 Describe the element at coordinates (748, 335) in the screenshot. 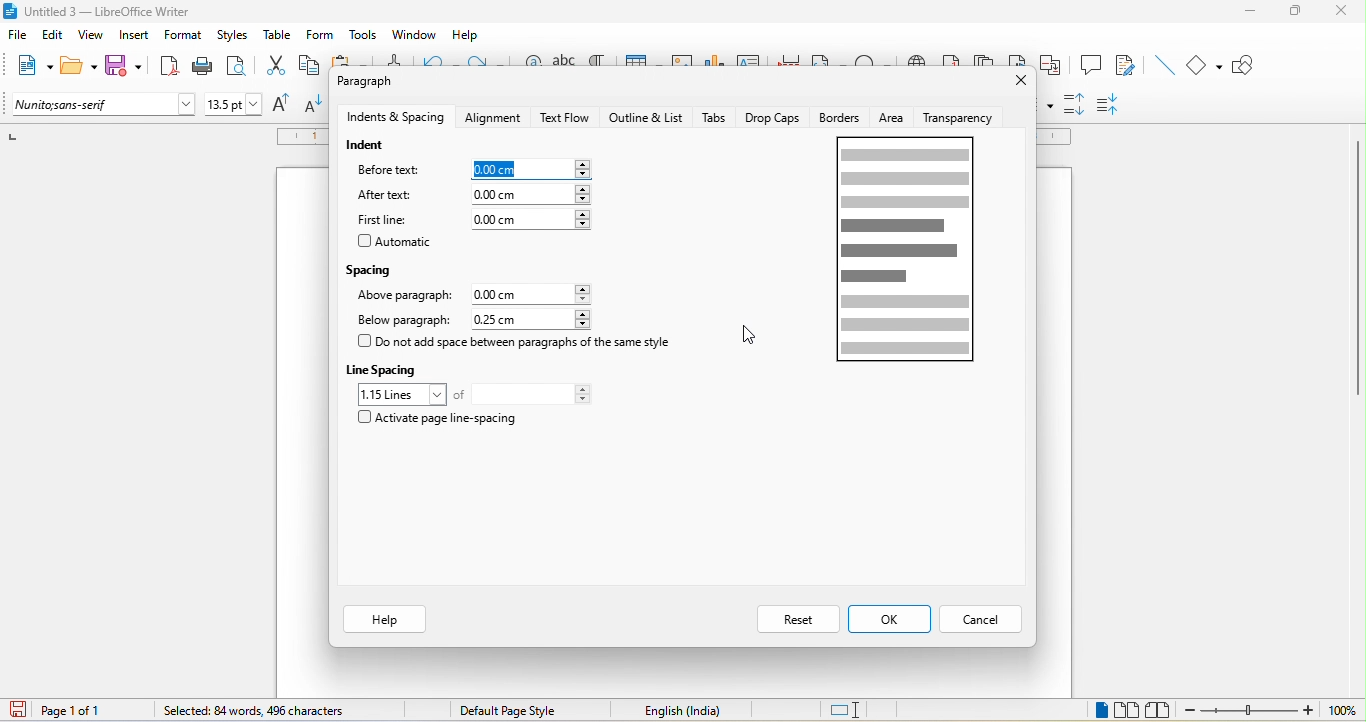

I see `cursor movement` at that location.